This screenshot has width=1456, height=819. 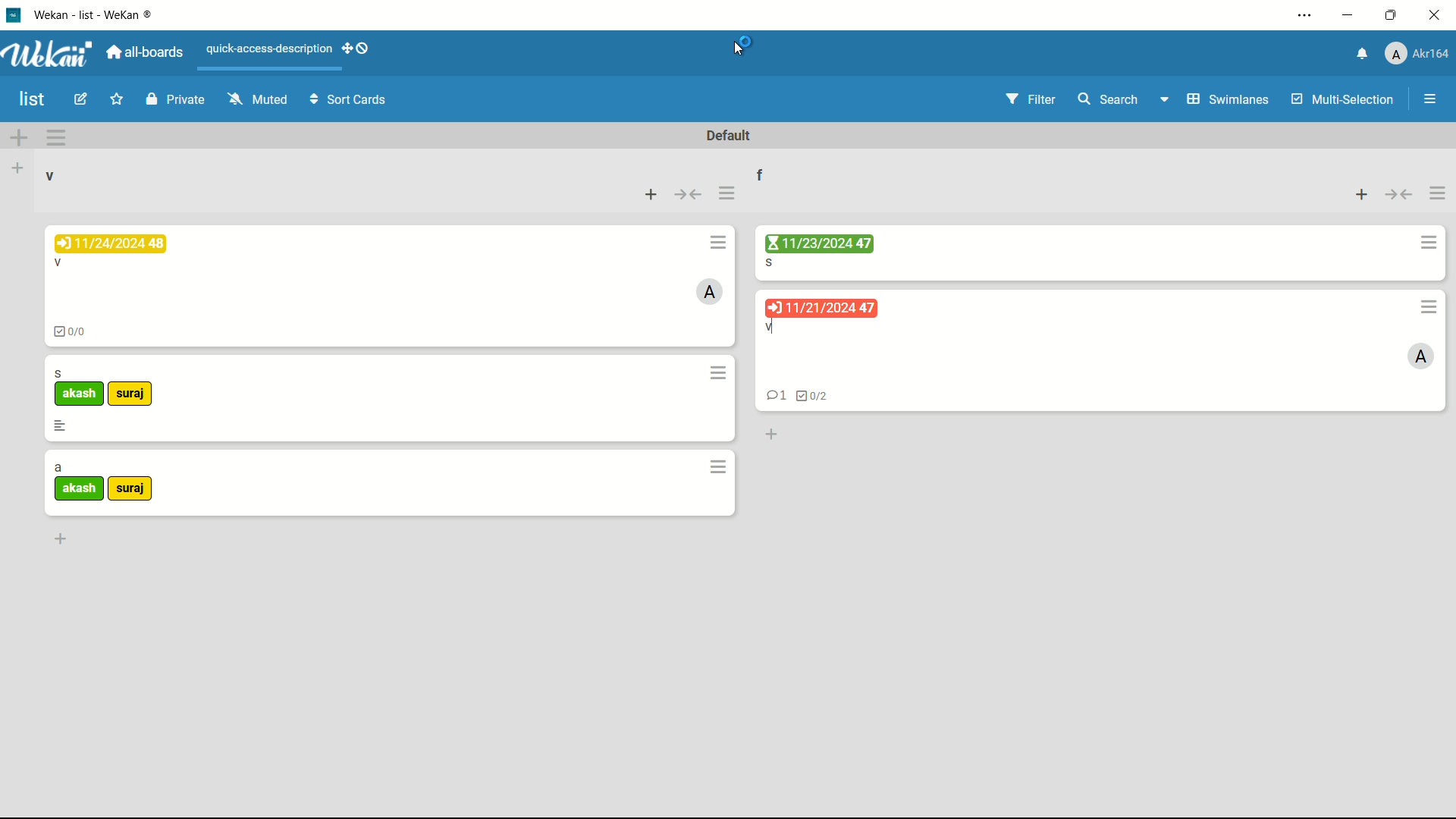 What do you see at coordinates (49, 176) in the screenshot?
I see `list name` at bounding box center [49, 176].